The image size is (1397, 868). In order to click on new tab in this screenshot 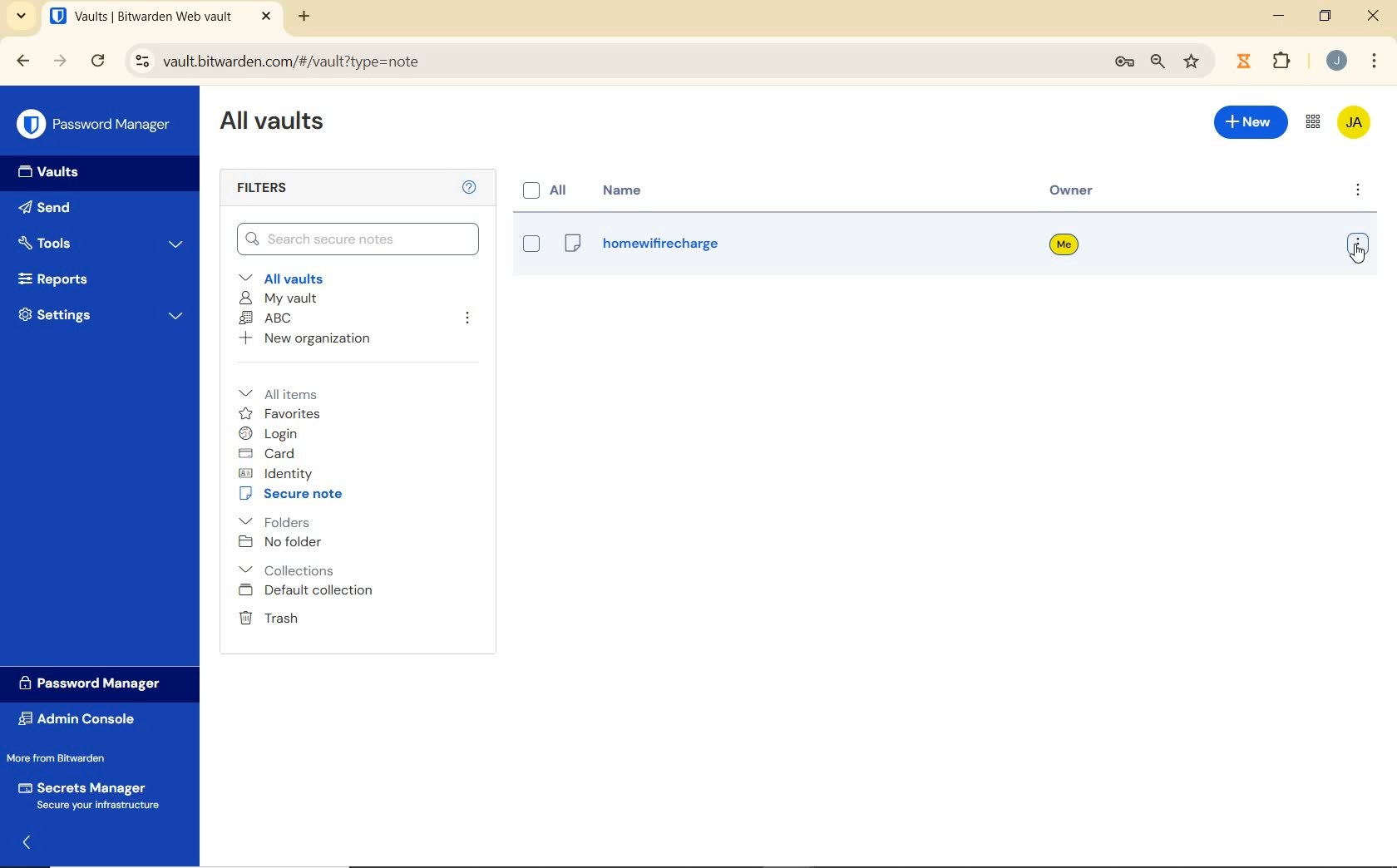, I will do `click(306, 18)`.